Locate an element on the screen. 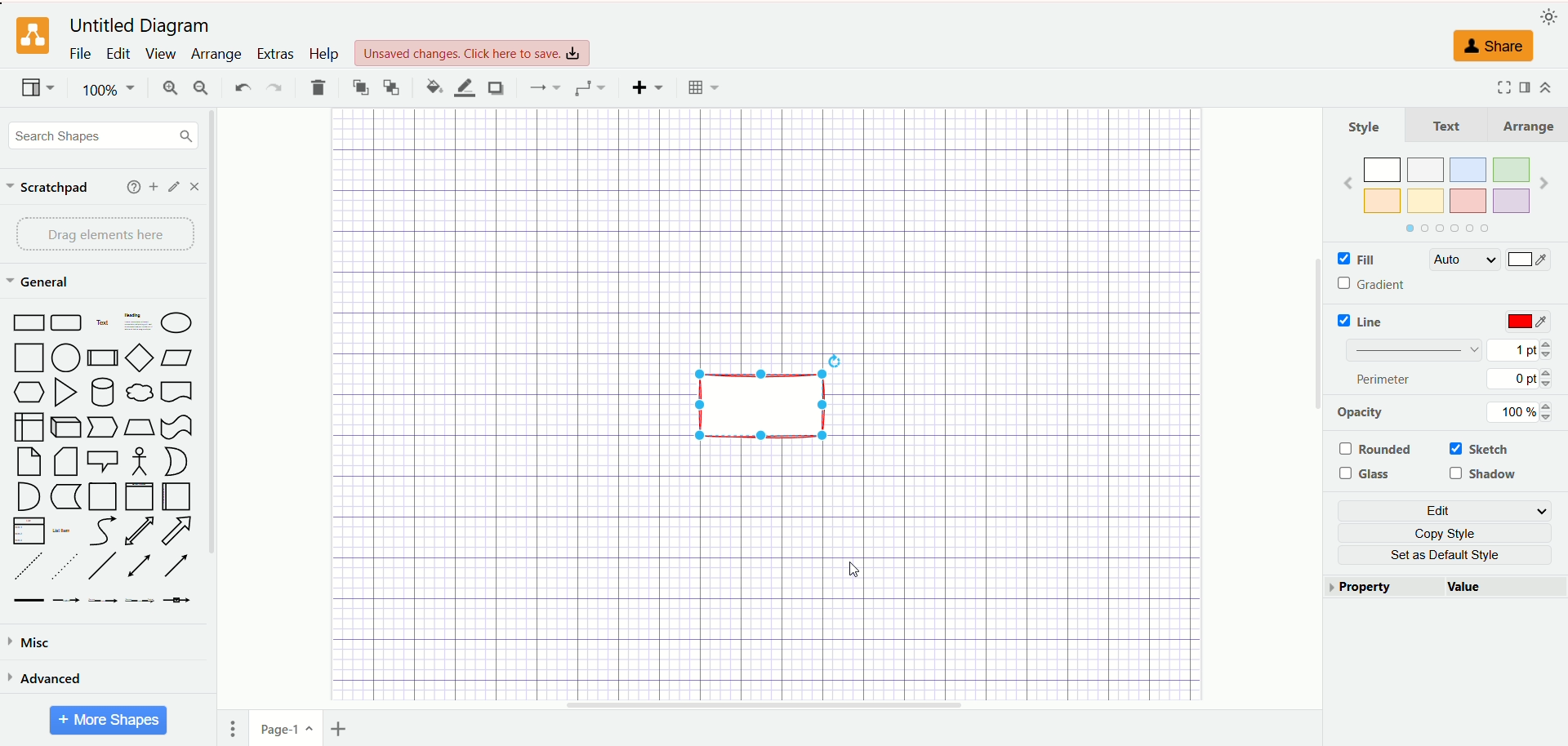 This screenshot has height=746, width=1568. glass is located at coordinates (1363, 473).